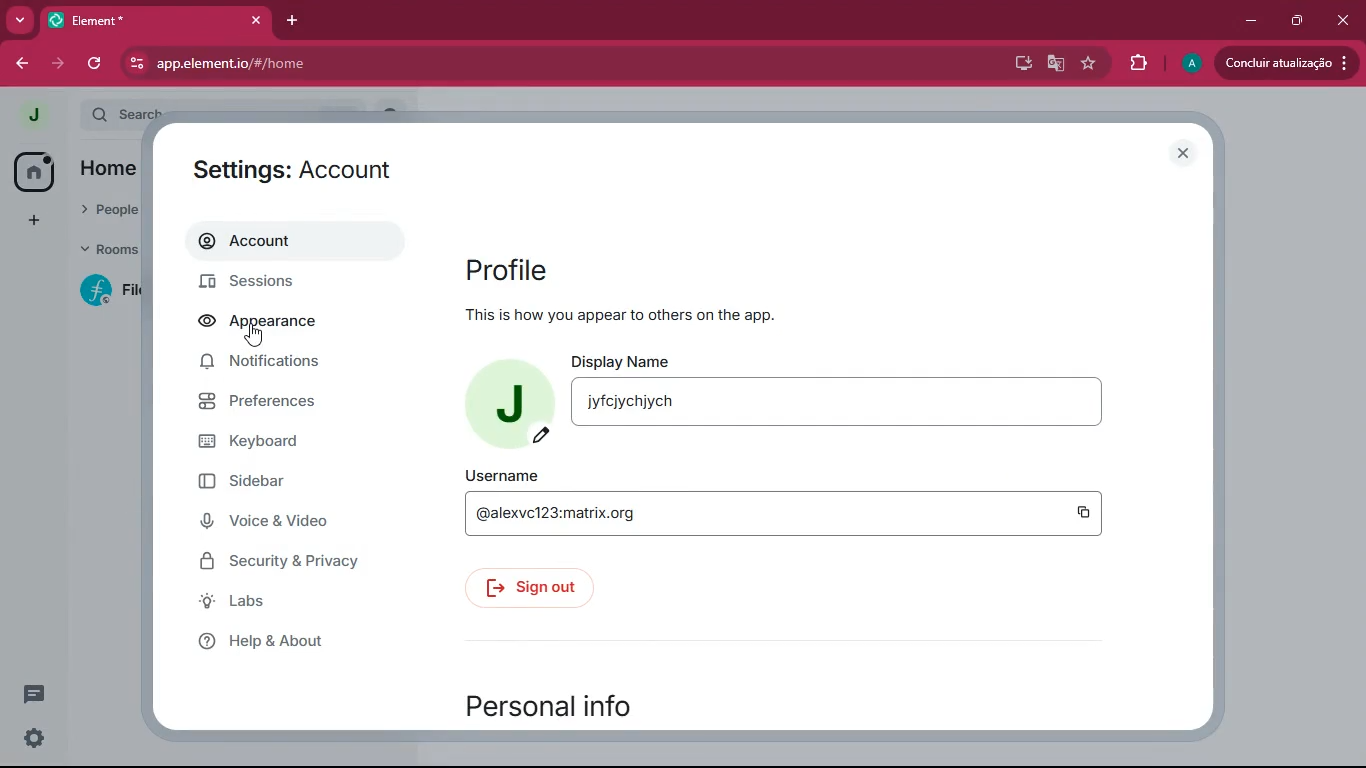  Describe the element at coordinates (1056, 66) in the screenshot. I see `google translate` at that location.